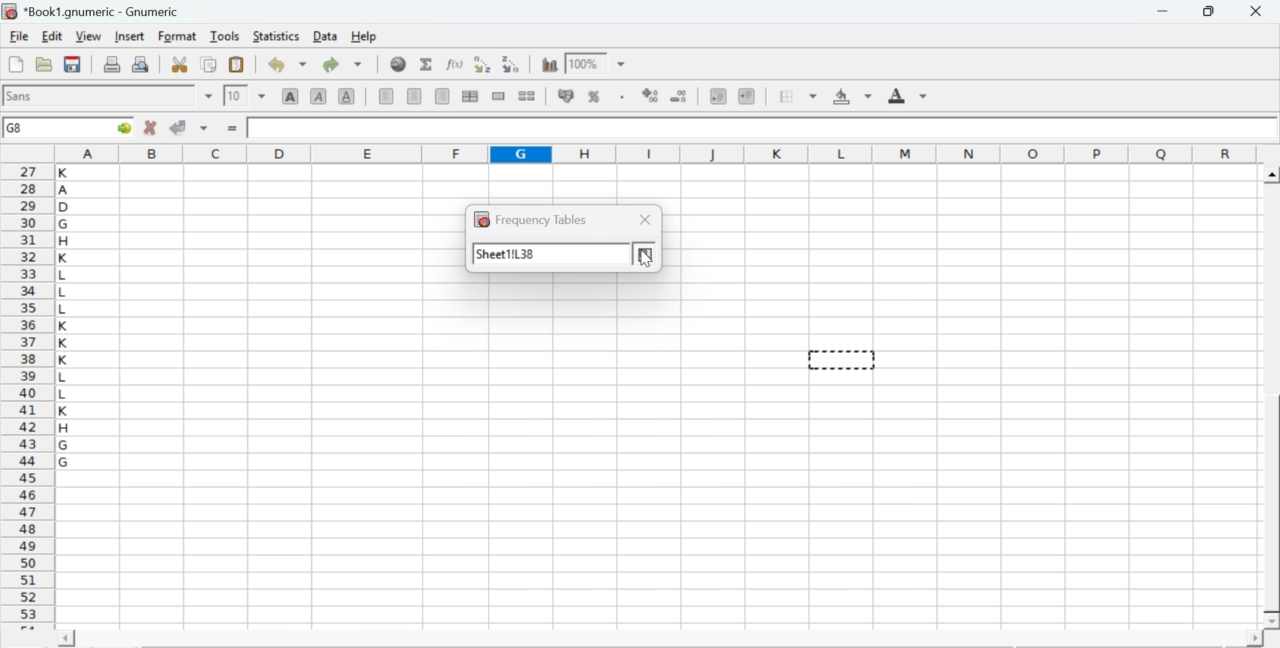 The width and height of the screenshot is (1280, 648). What do you see at coordinates (583, 63) in the screenshot?
I see `100%` at bounding box center [583, 63].